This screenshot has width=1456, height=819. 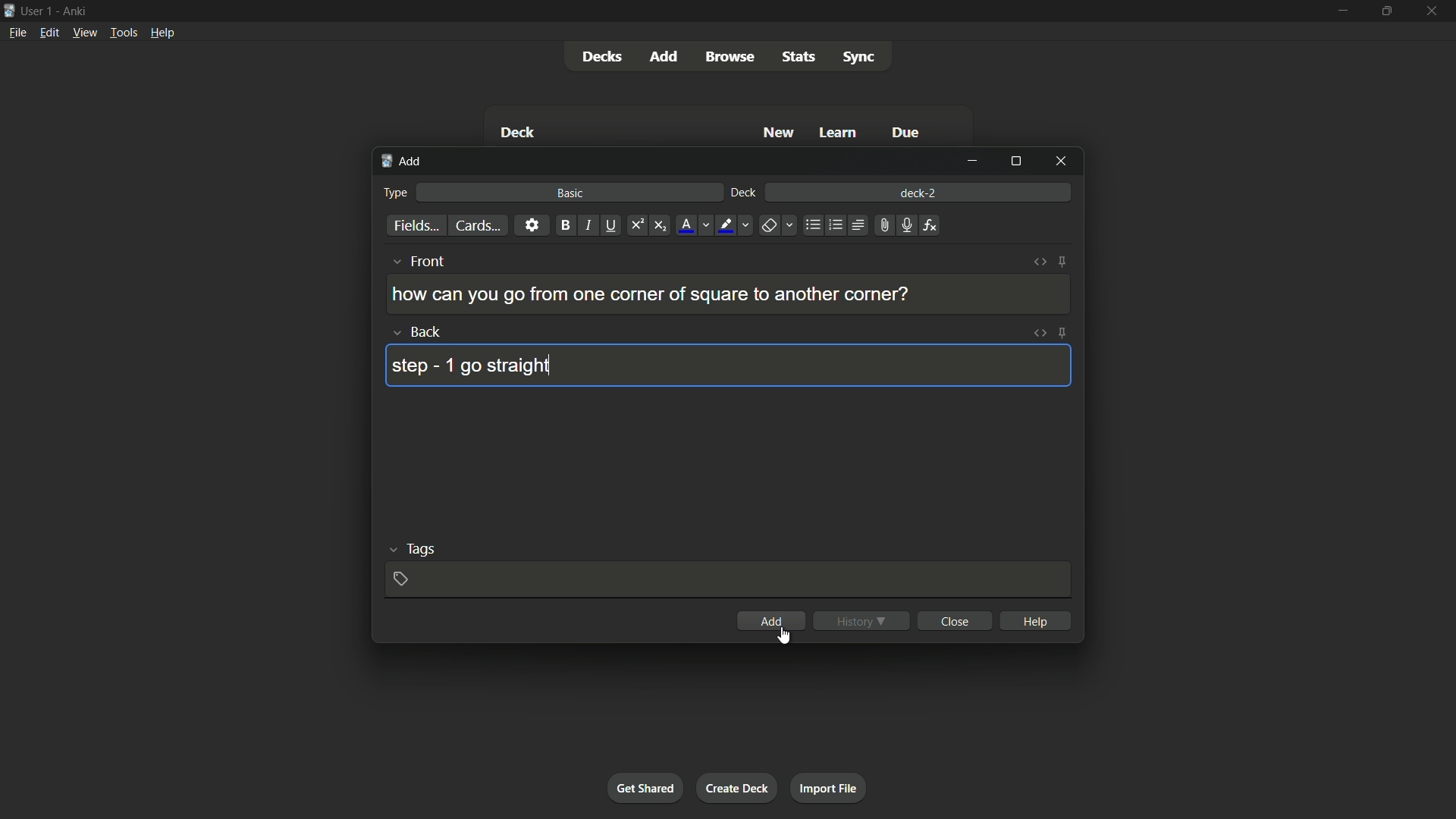 I want to click on deck, so click(x=521, y=132).